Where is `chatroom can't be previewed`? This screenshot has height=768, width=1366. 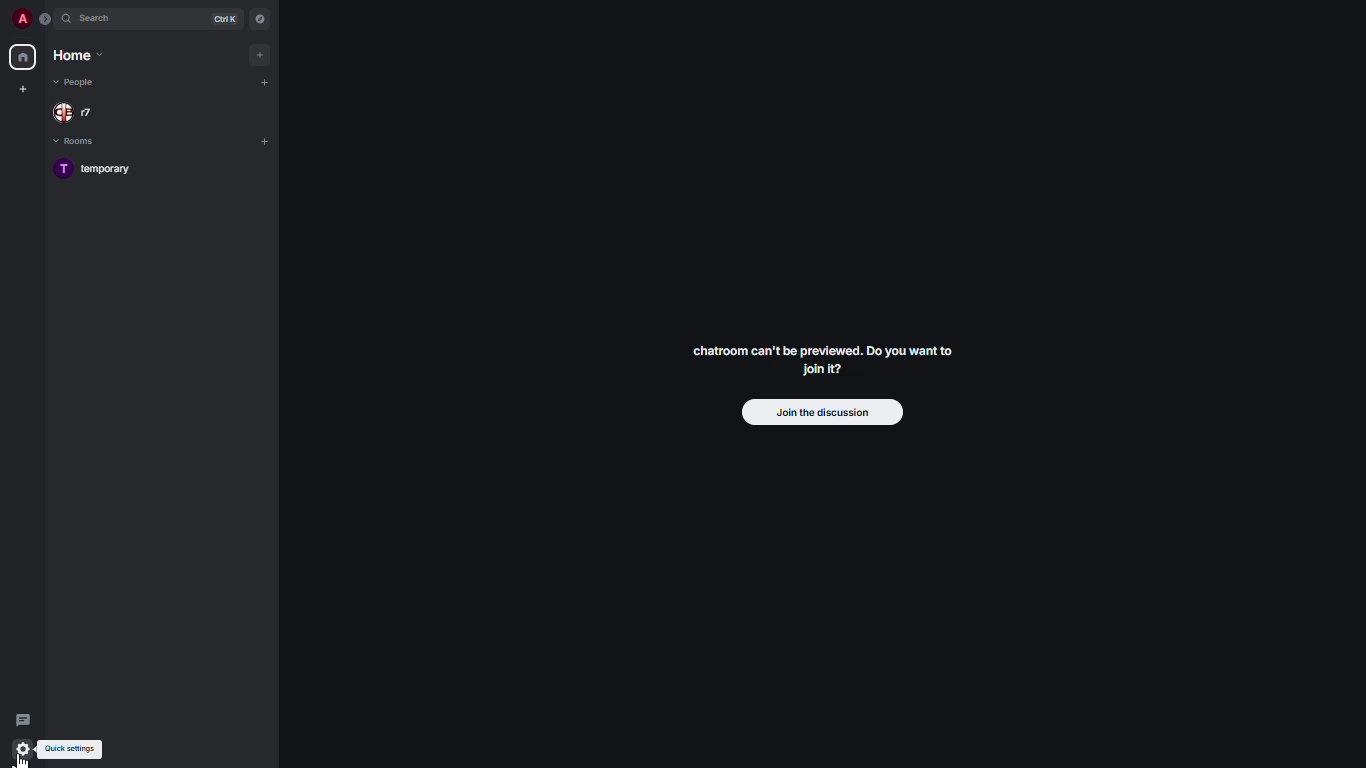 chatroom can't be previewed is located at coordinates (822, 364).